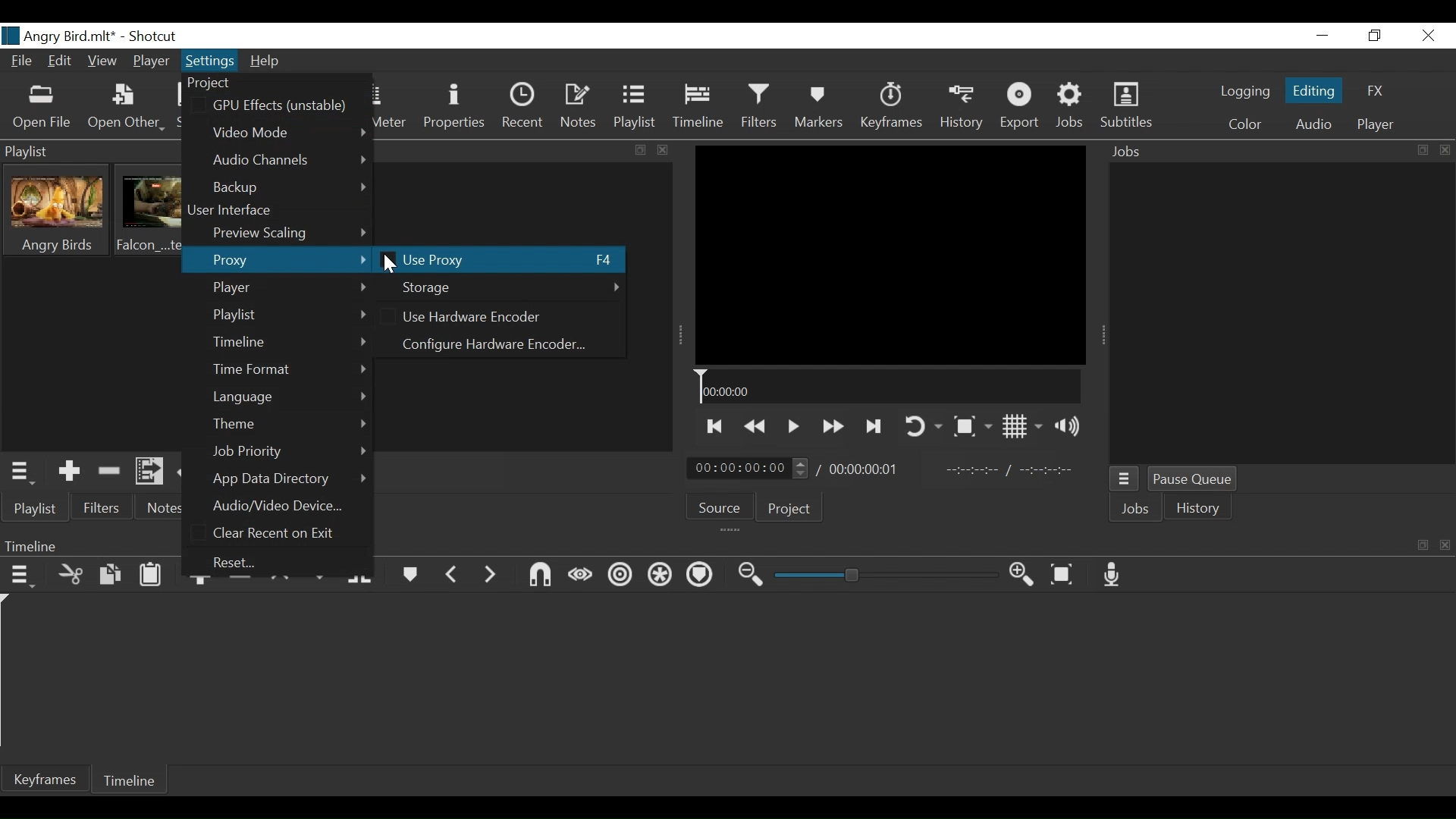  Describe the element at coordinates (865, 469) in the screenshot. I see `Total Duration` at that location.